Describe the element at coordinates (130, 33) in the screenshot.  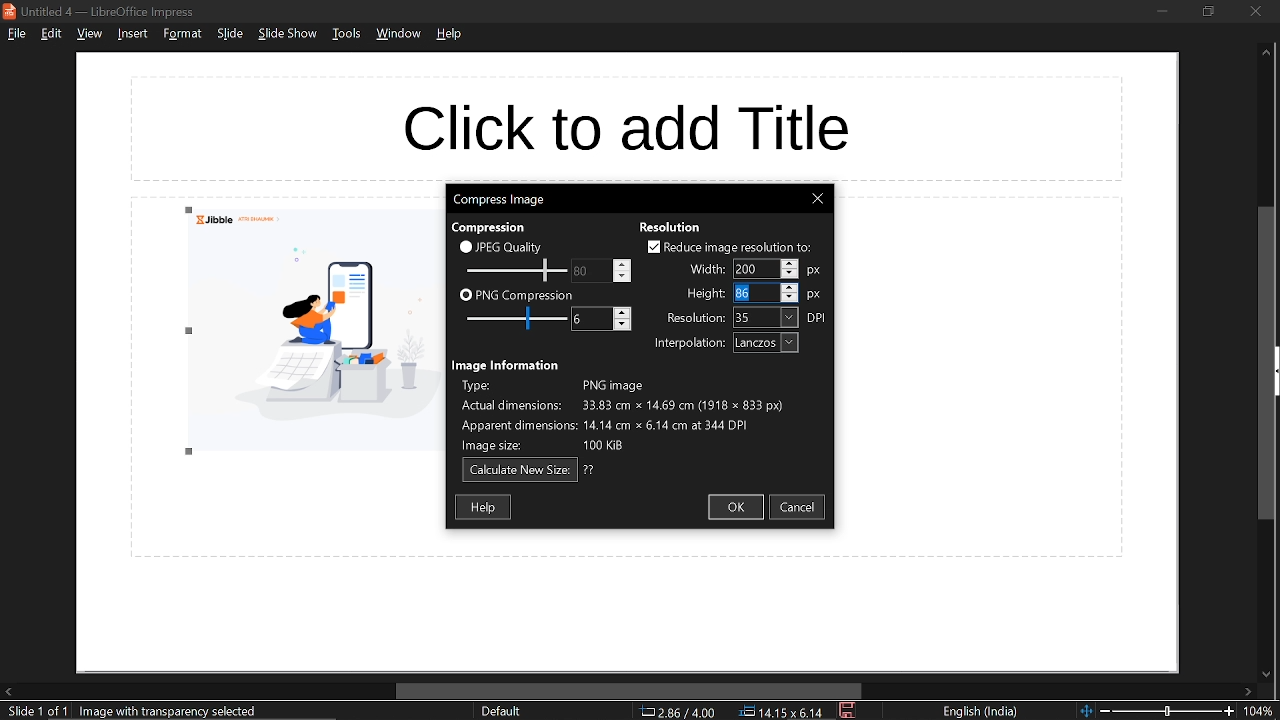
I see `insert` at that location.